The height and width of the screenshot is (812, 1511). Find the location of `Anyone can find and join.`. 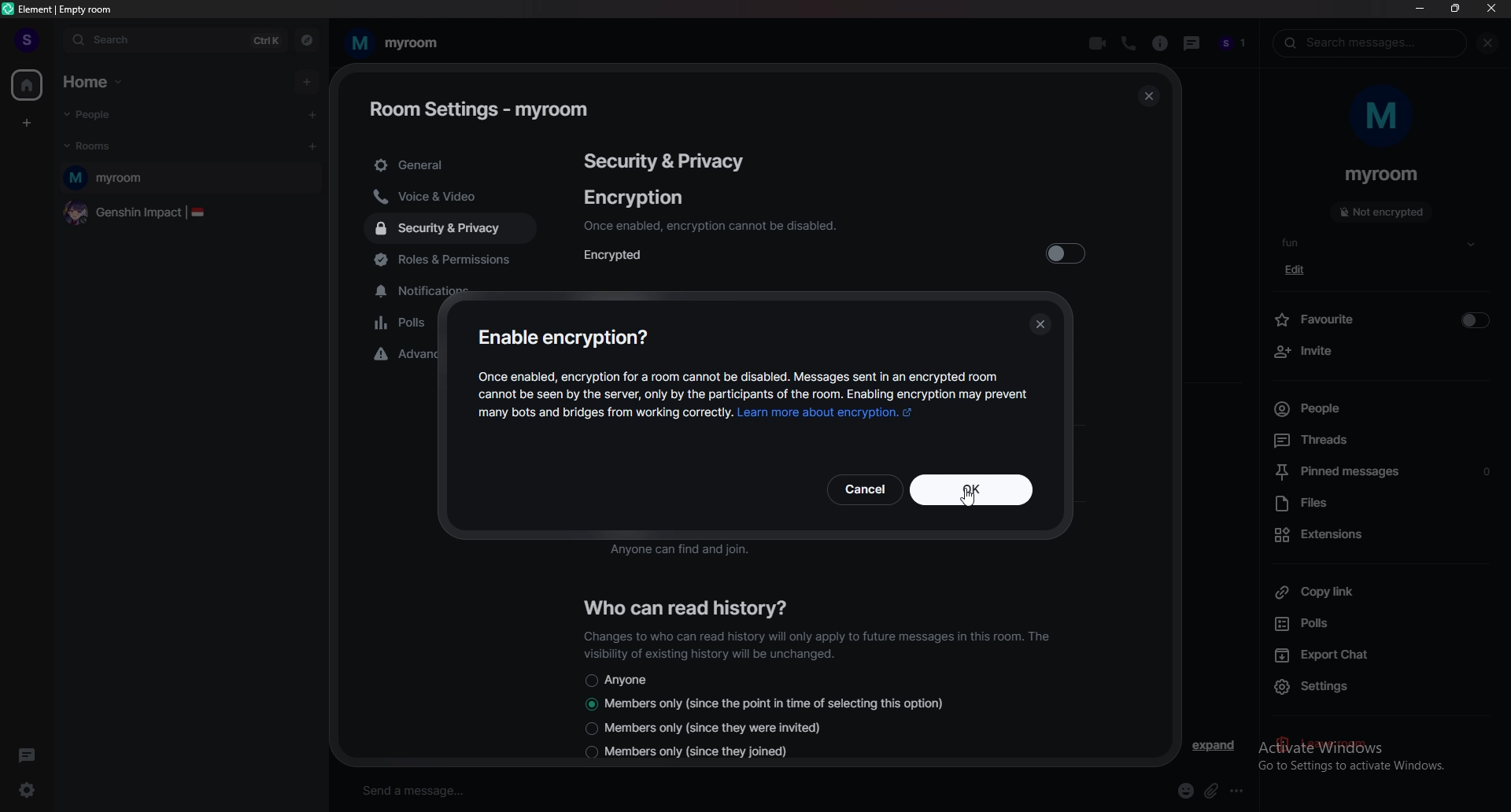

Anyone can find and join. is located at coordinates (707, 552).